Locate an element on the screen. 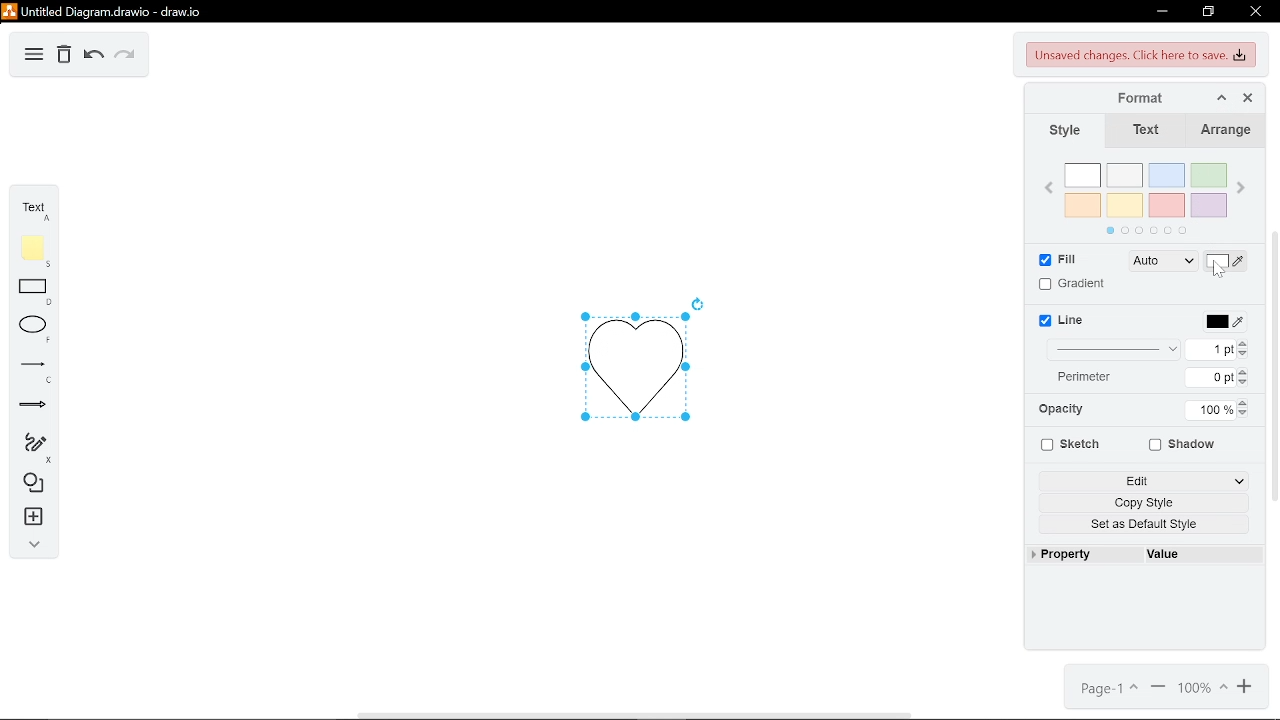  property is located at coordinates (1070, 555).